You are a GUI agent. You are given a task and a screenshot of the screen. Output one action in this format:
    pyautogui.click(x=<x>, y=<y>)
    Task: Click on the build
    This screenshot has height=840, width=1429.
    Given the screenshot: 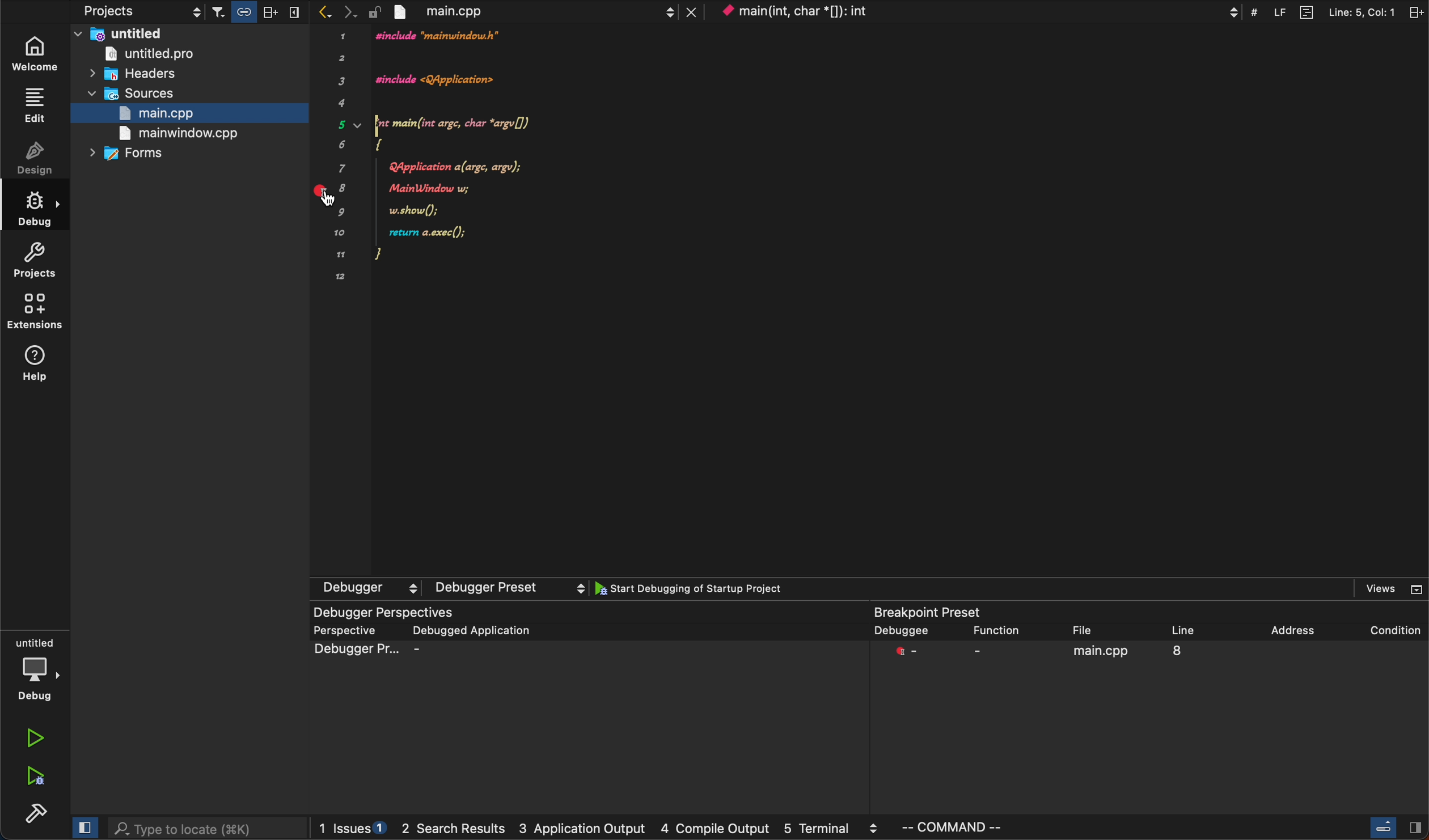 What is the action you would take?
    pyautogui.click(x=30, y=811)
    